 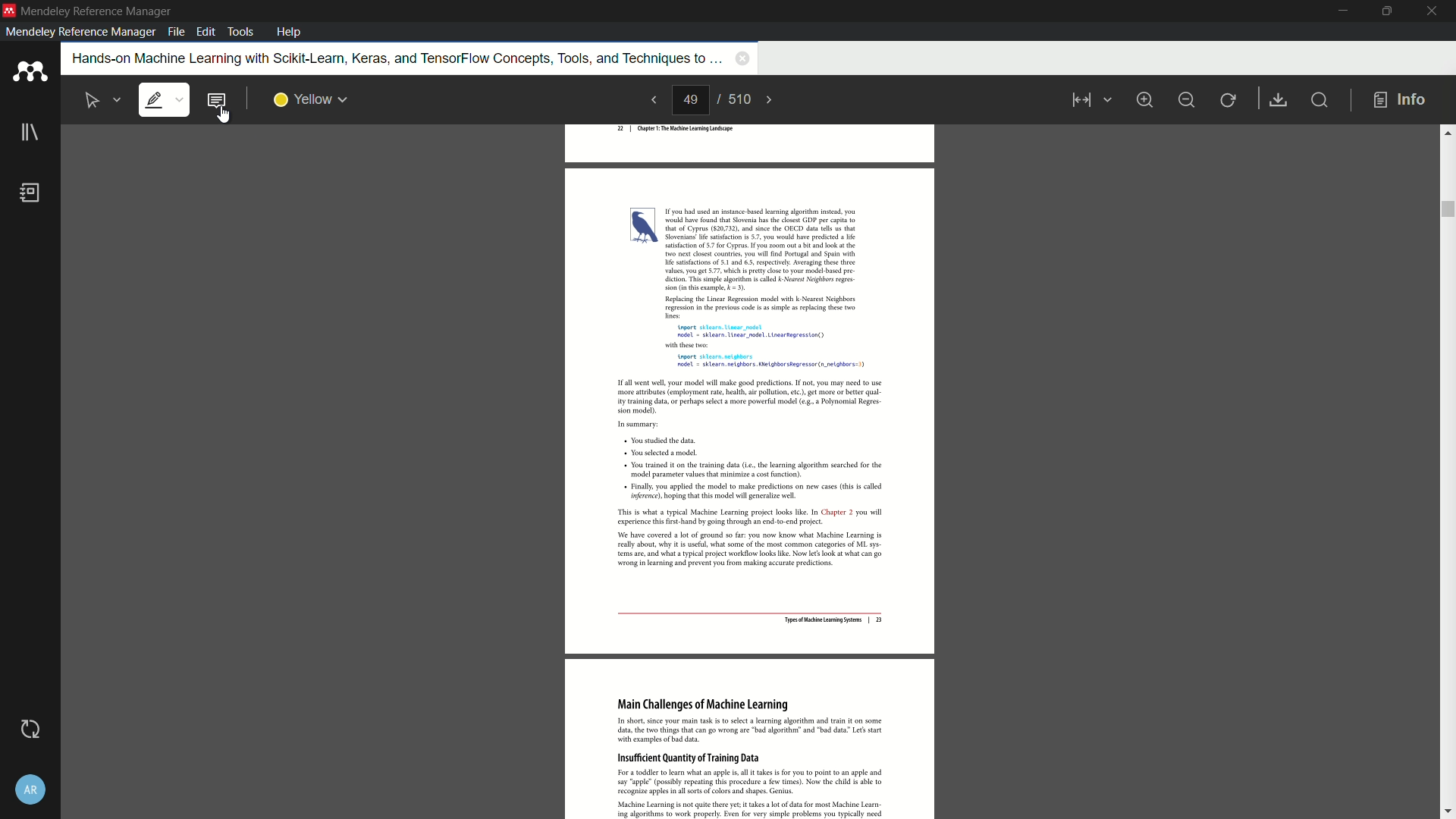 I want to click on Mendeley Reference Manager, so click(x=97, y=11).